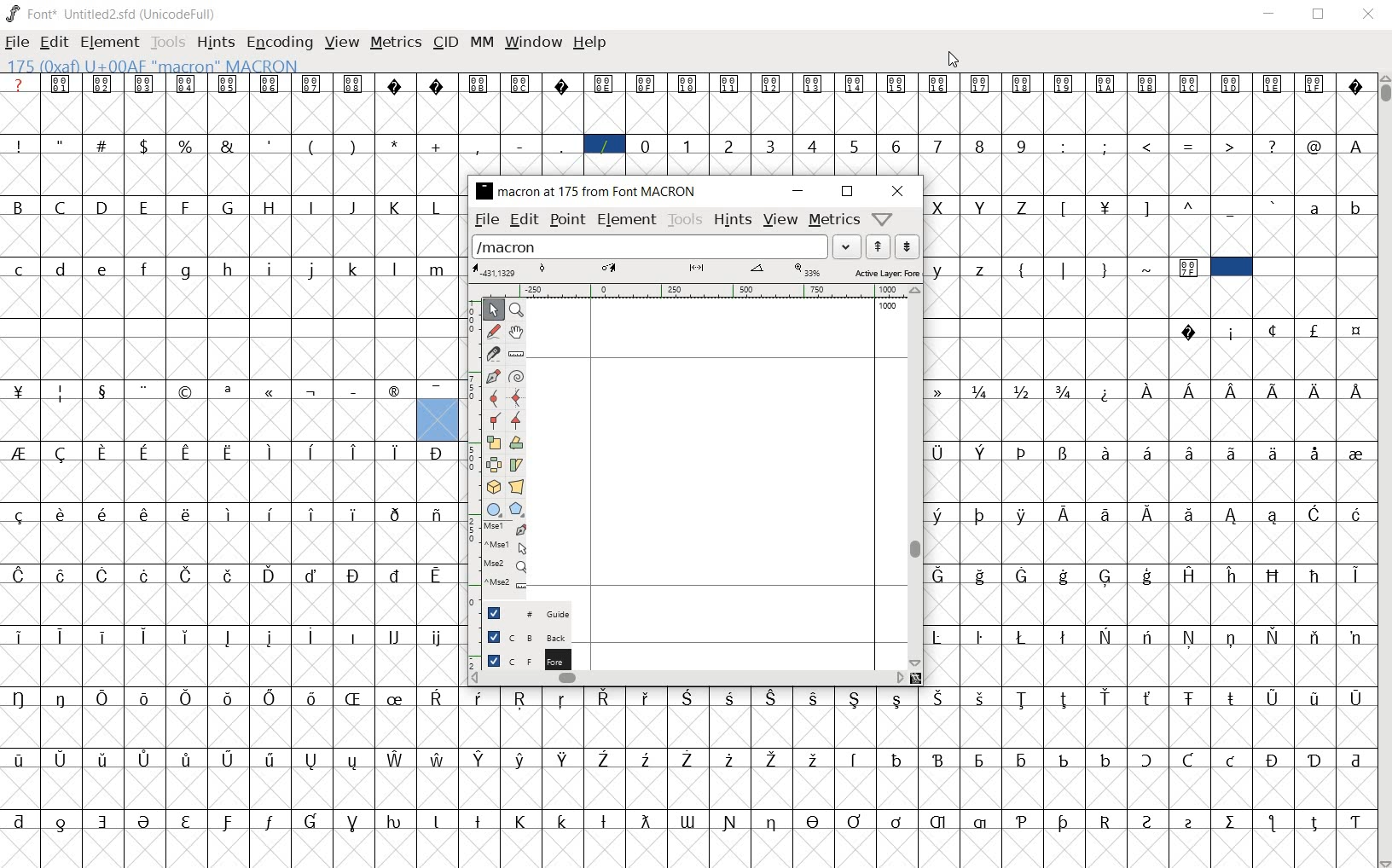  What do you see at coordinates (1023, 391) in the screenshot?
I see `Symbol` at bounding box center [1023, 391].